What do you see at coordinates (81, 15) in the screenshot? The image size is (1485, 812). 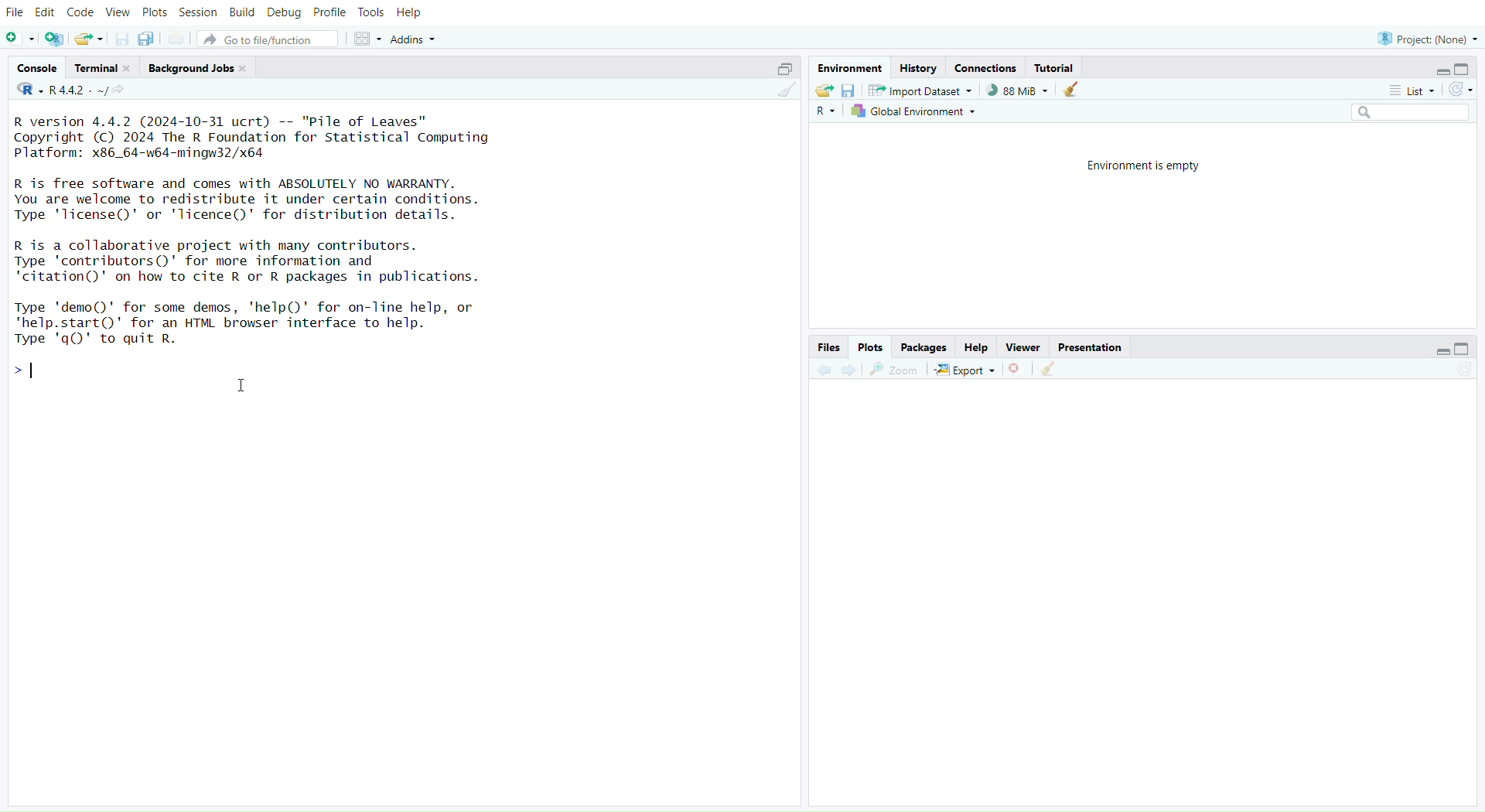 I see `code` at bounding box center [81, 15].